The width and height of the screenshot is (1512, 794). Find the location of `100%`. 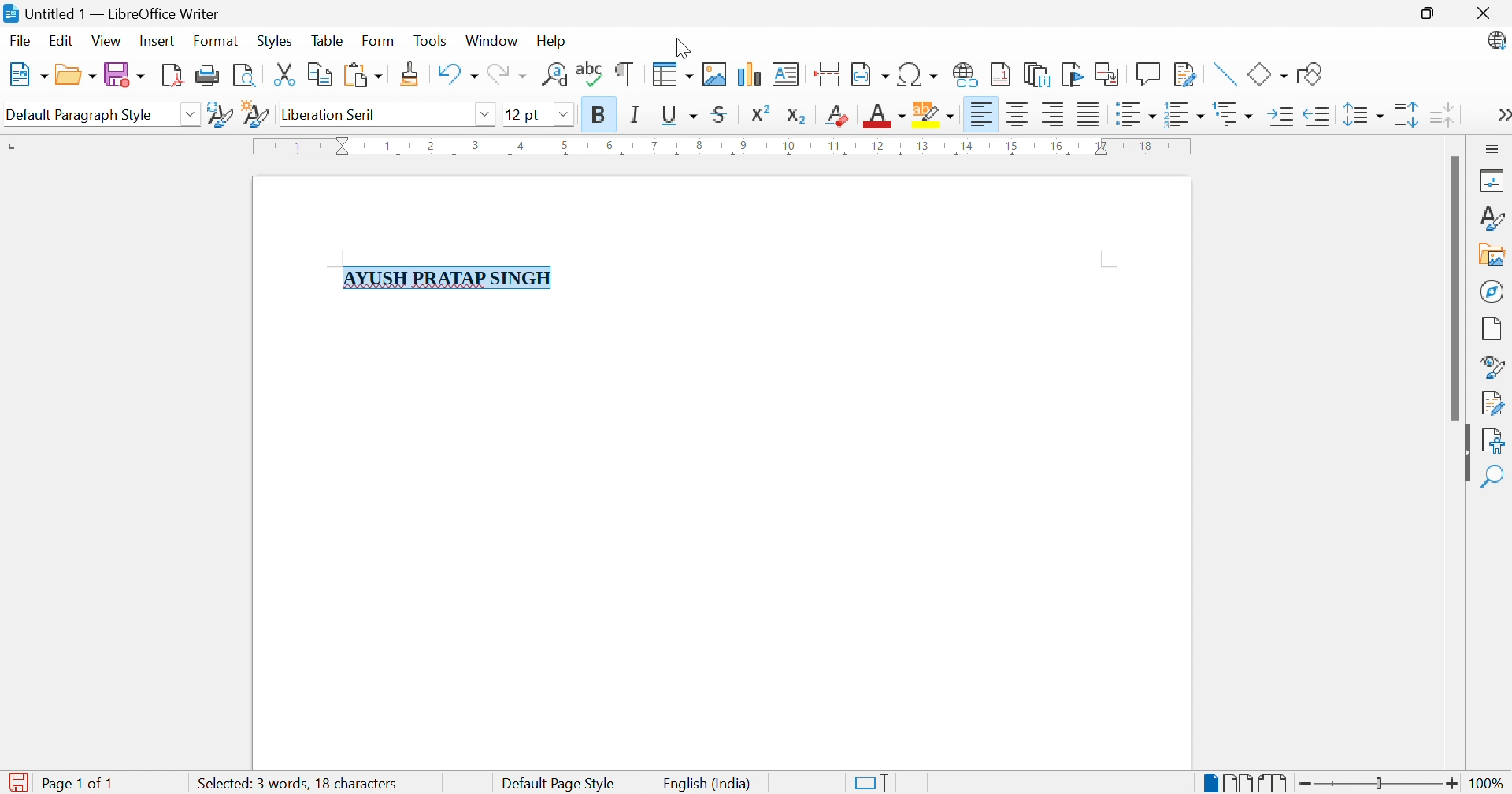

100% is located at coordinates (1488, 782).